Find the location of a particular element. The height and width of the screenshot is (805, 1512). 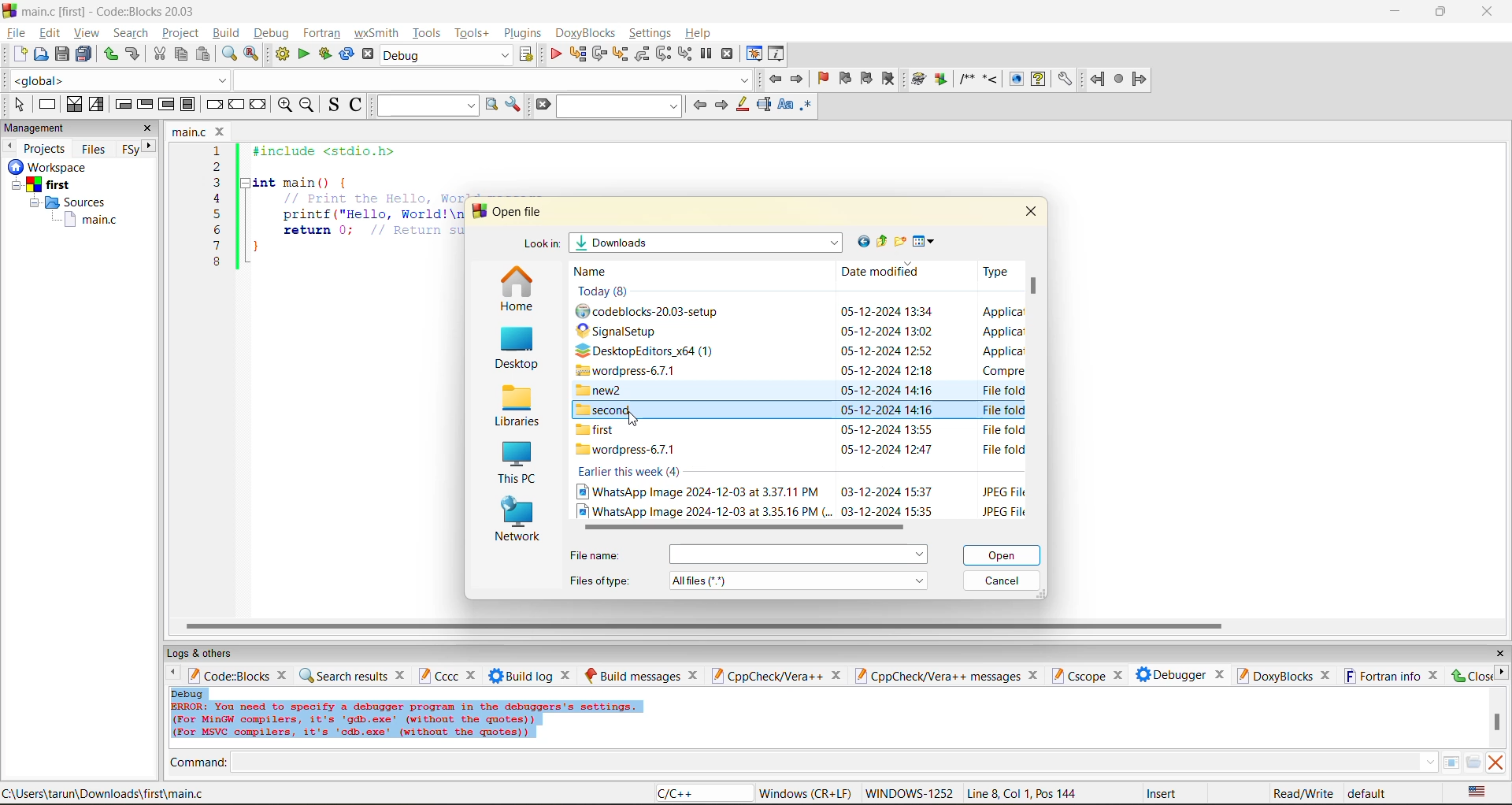

cancel is located at coordinates (1002, 582).